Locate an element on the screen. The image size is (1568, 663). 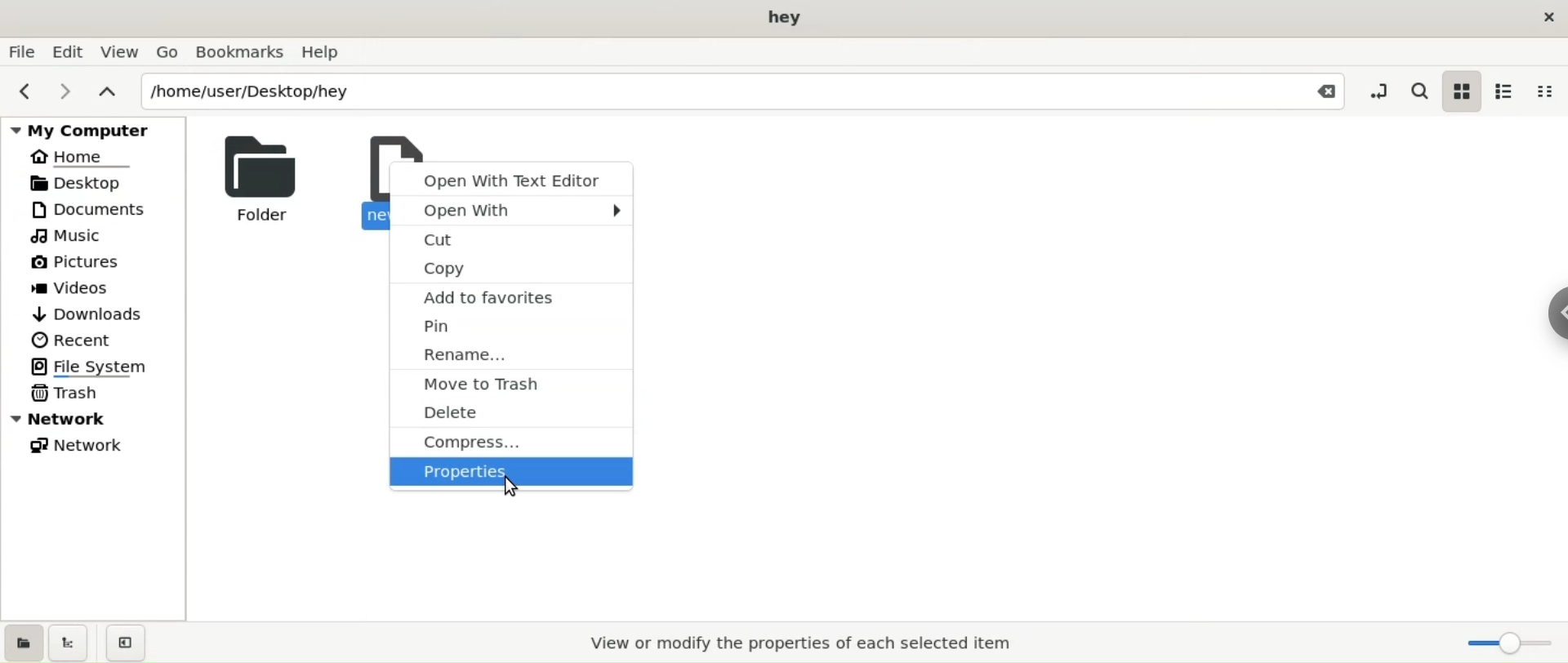
File is located at coordinates (23, 51).